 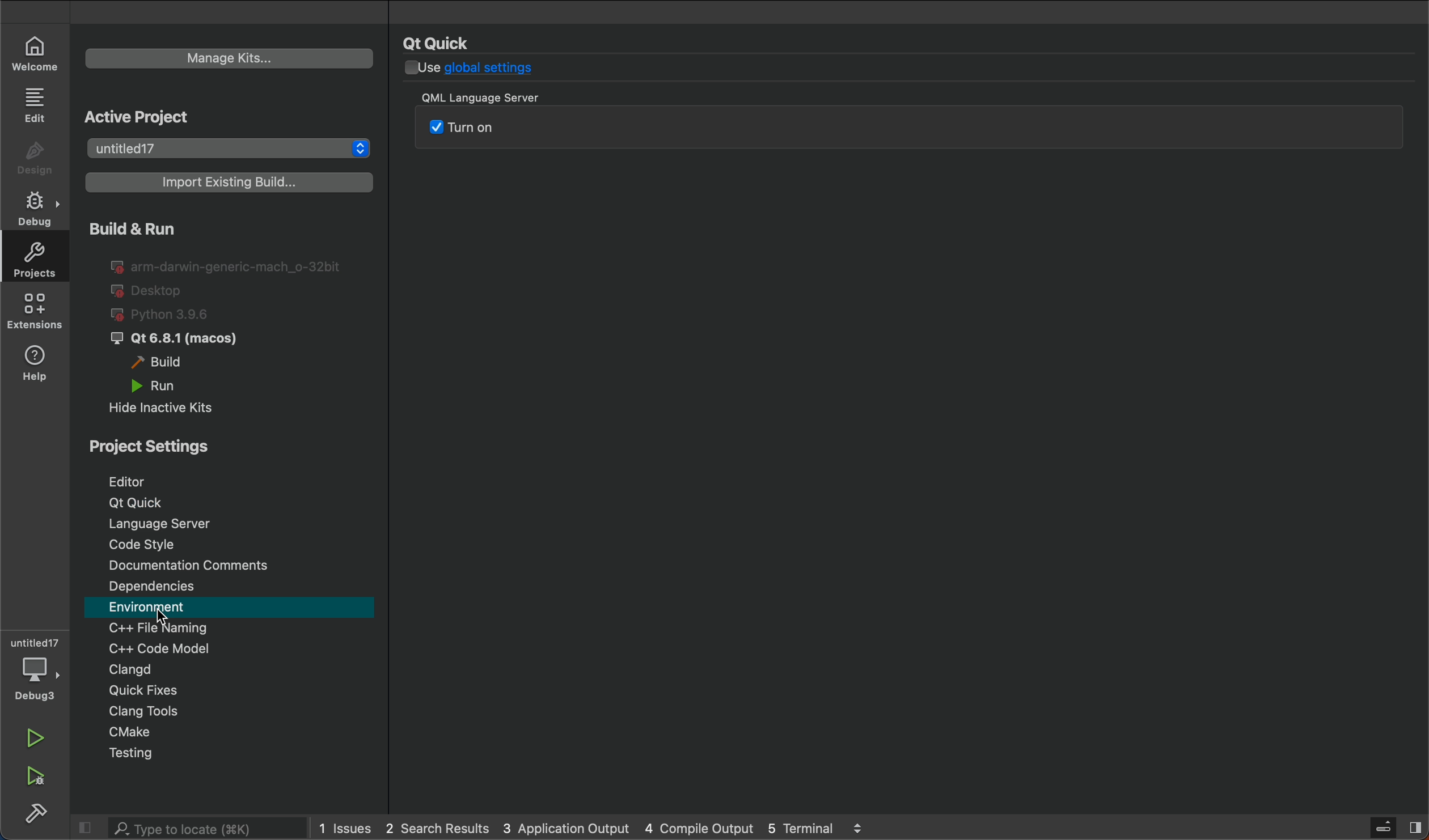 I want to click on file naming, so click(x=232, y=628).